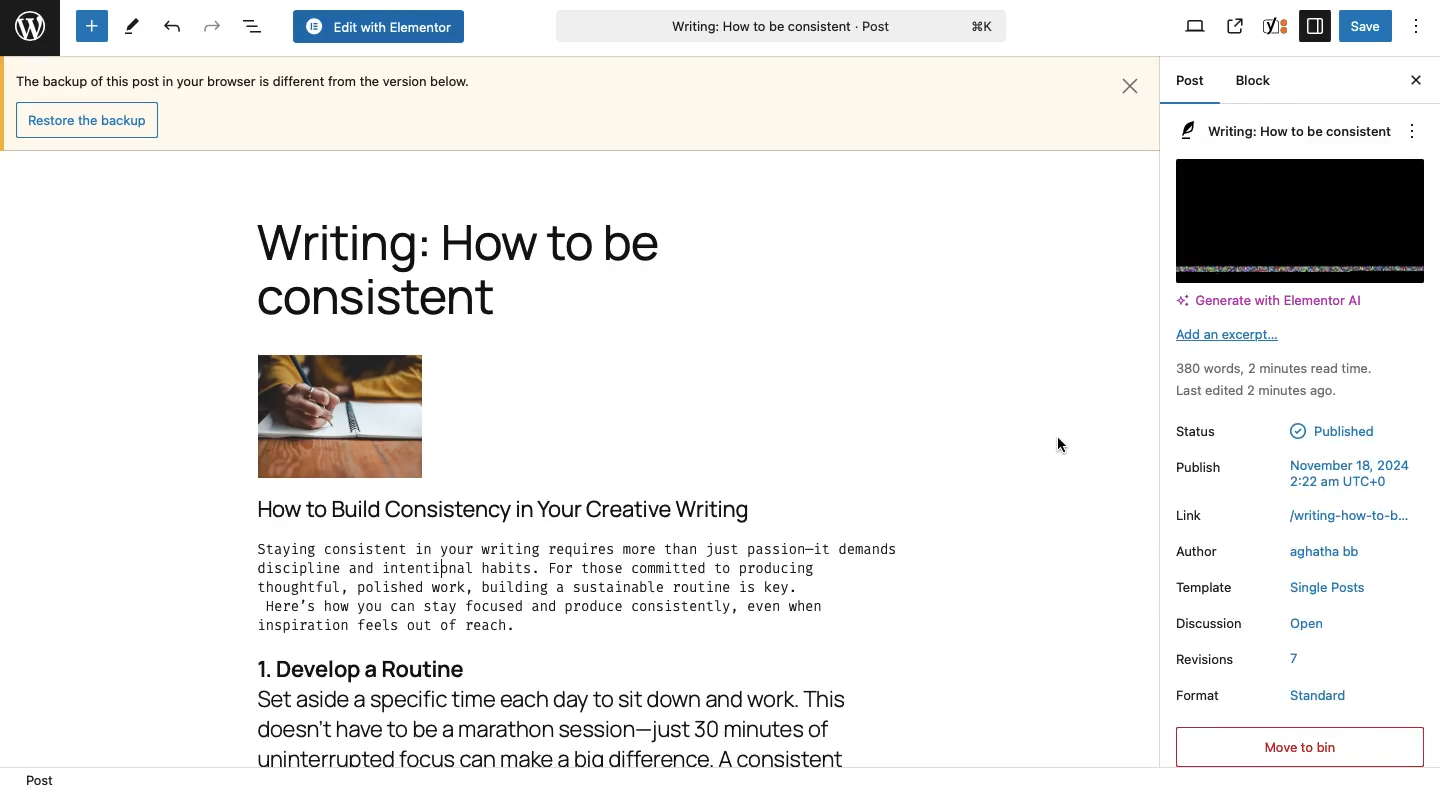 The image size is (1440, 792). I want to click on Writing, so click(506, 509).